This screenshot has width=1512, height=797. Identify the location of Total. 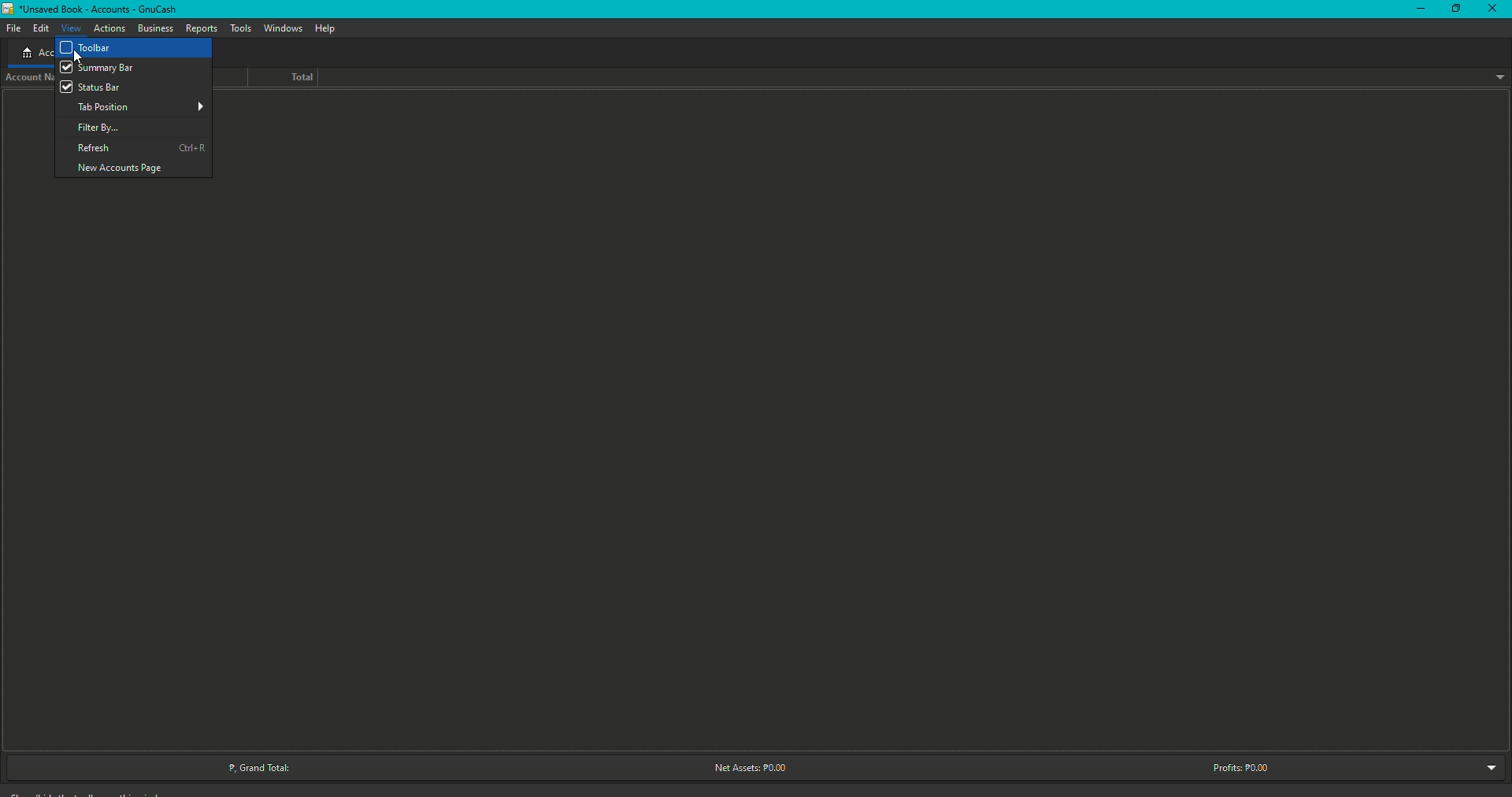
(291, 77).